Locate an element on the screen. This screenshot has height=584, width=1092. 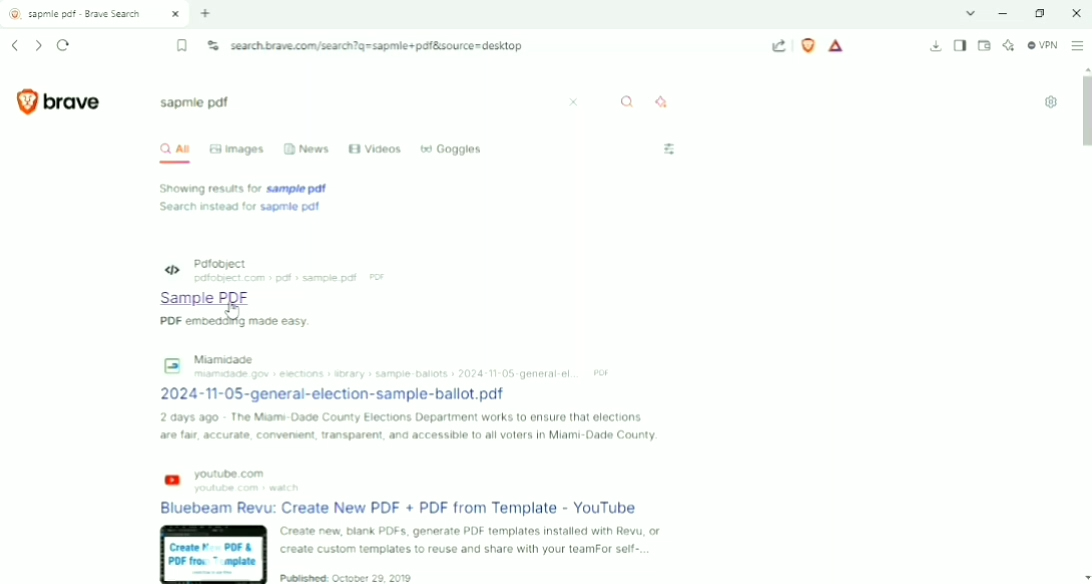
Sample PDF is located at coordinates (190, 298).